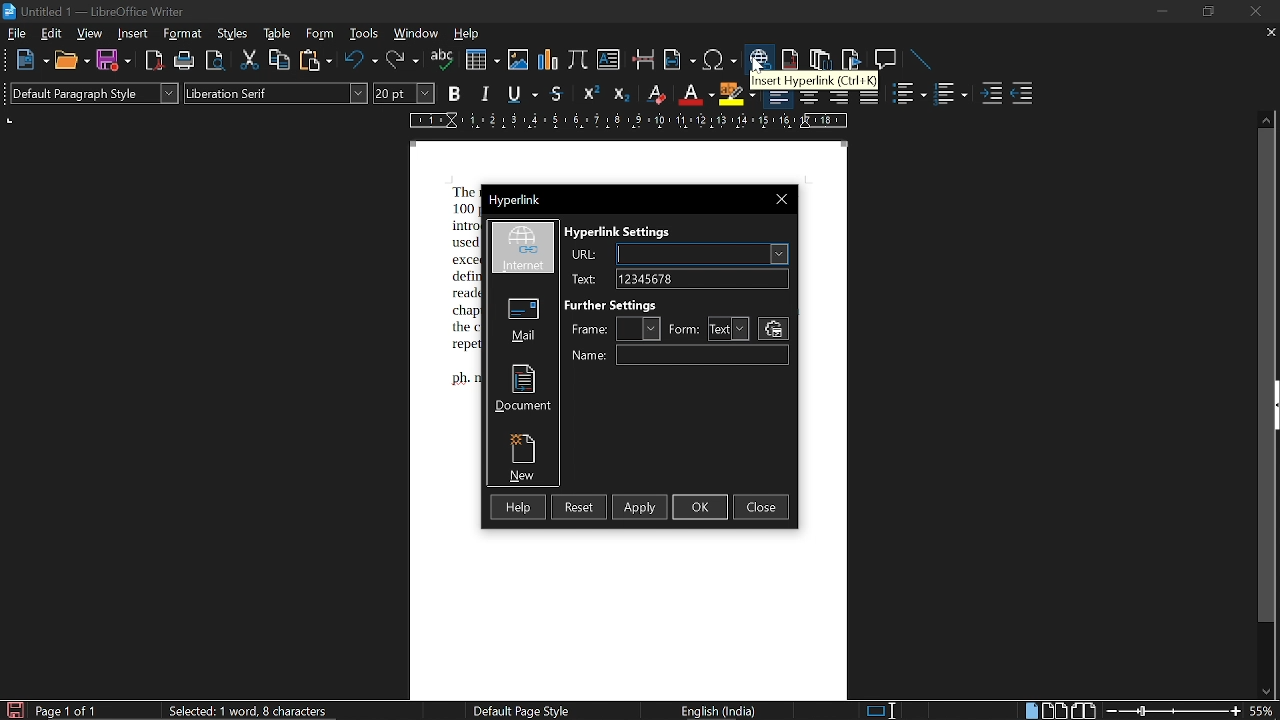 Image resolution: width=1280 pixels, height=720 pixels. What do you see at coordinates (1055, 711) in the screenshot?
I see `multiple page view` at bounding box center [1055, 711].